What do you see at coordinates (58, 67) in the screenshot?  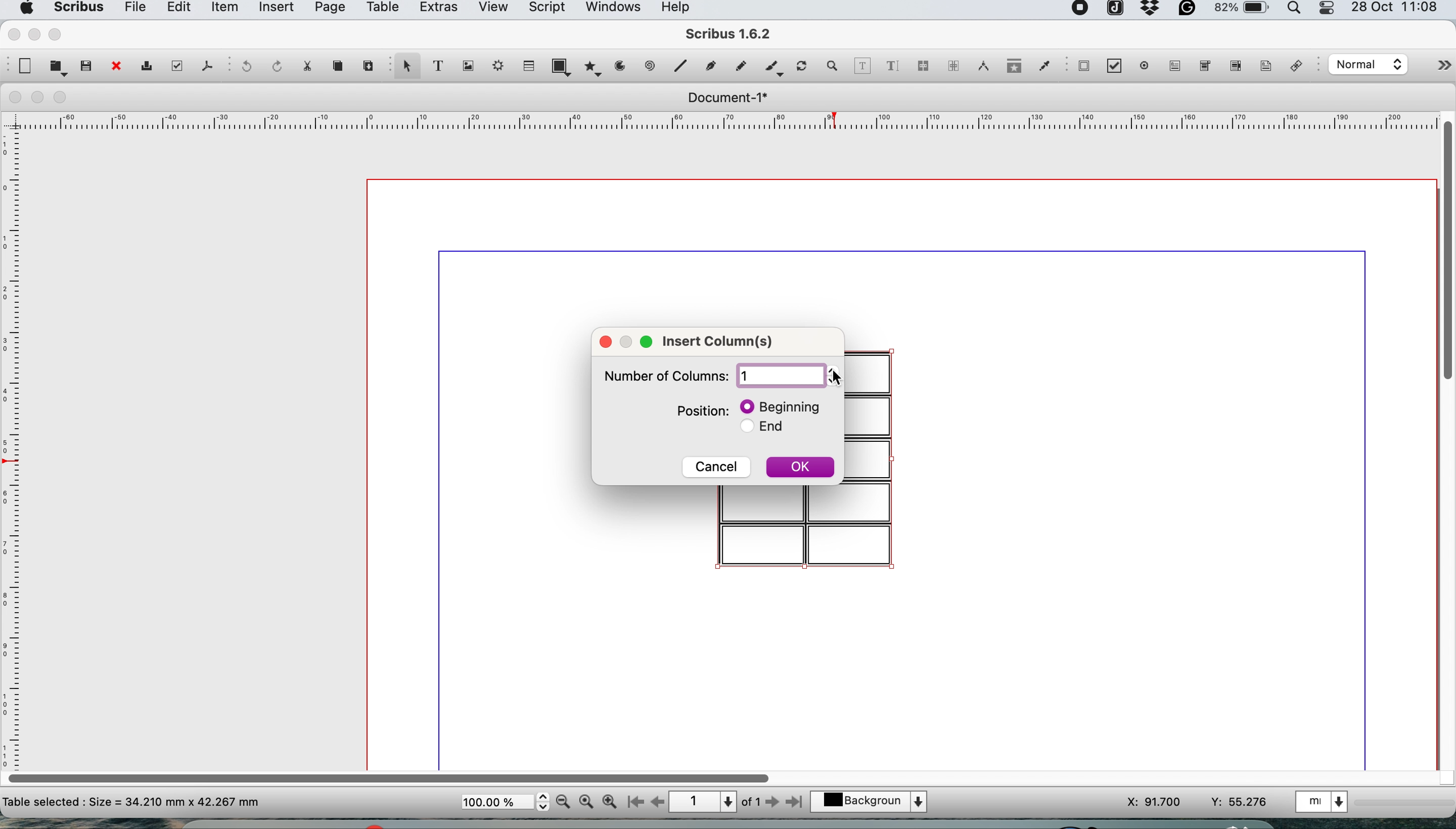 I see `open` at bounding box center [58, 67].